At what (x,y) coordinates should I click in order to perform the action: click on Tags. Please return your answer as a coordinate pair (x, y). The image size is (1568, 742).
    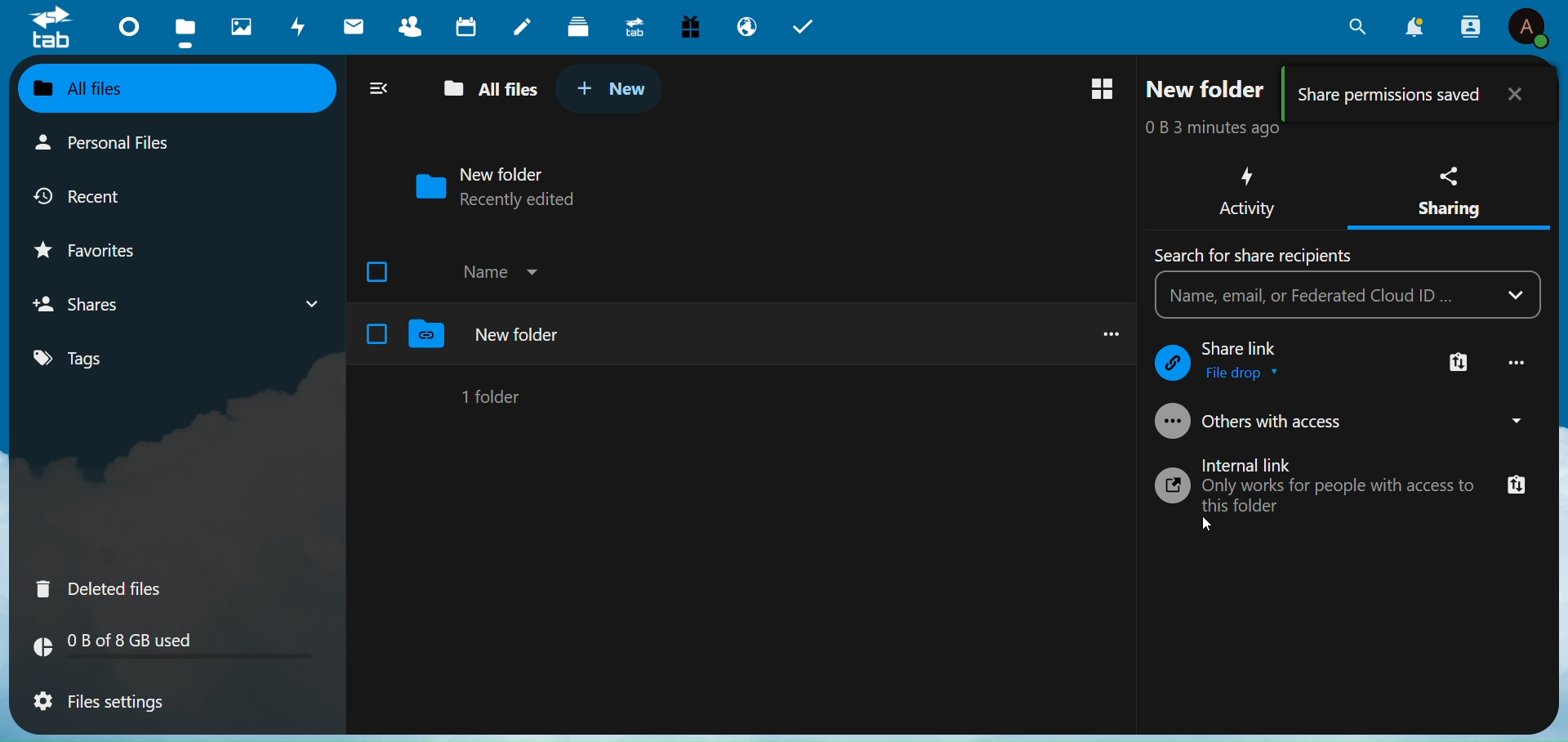
    Looking at the image, I should click on (100, 360).